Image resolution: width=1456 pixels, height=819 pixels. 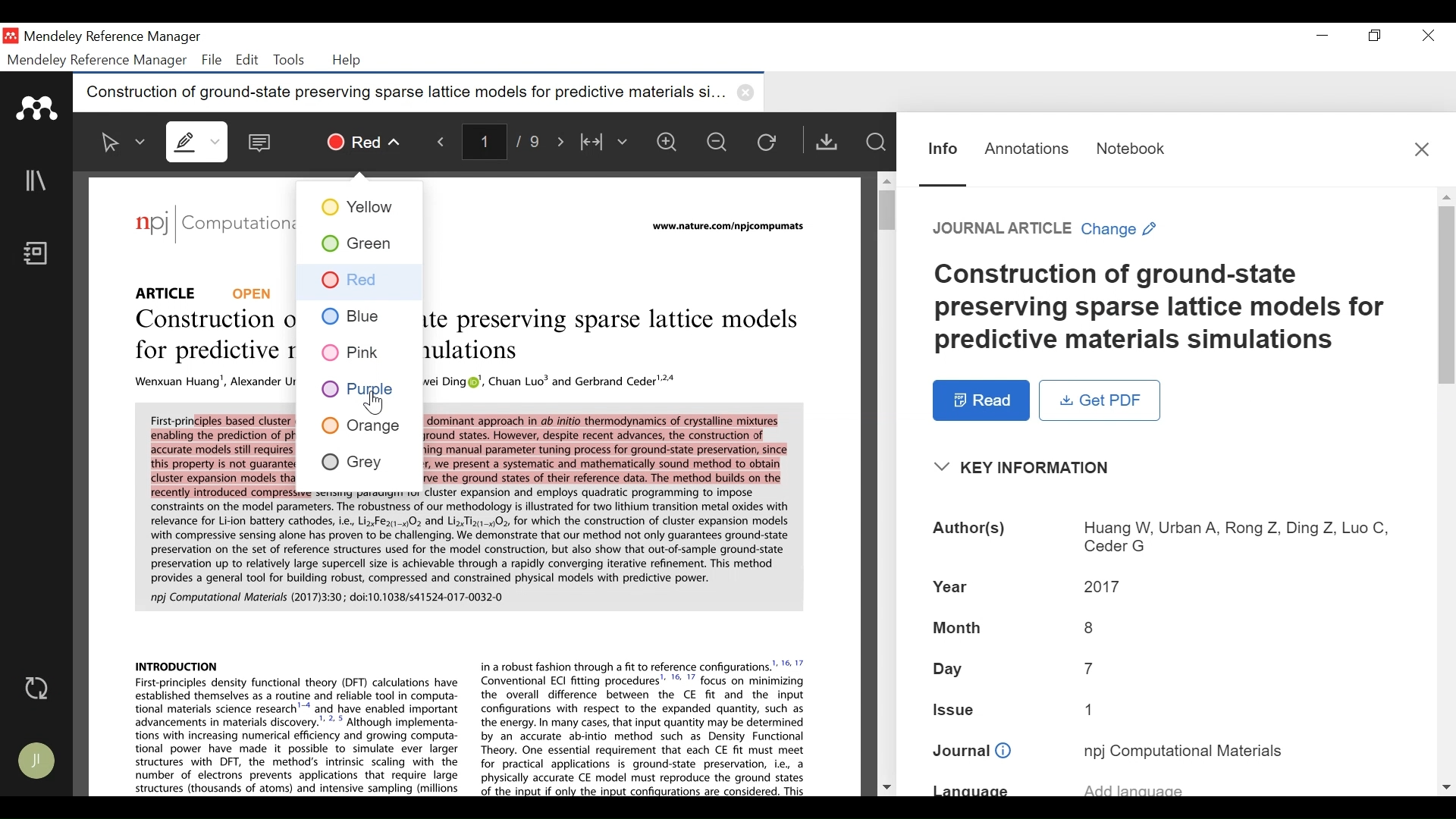 I want to click on Yellow, so click(x=353, y=203).